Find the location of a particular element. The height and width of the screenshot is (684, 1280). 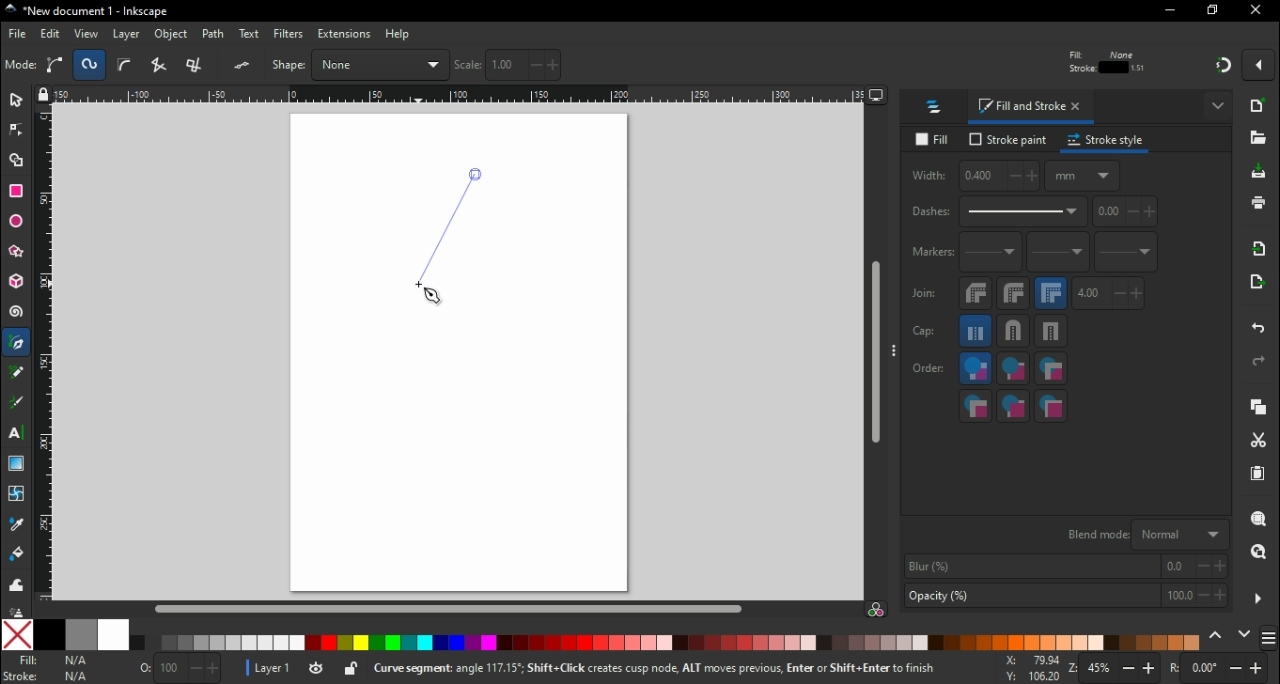

save is located at coordinates (1259, 176).